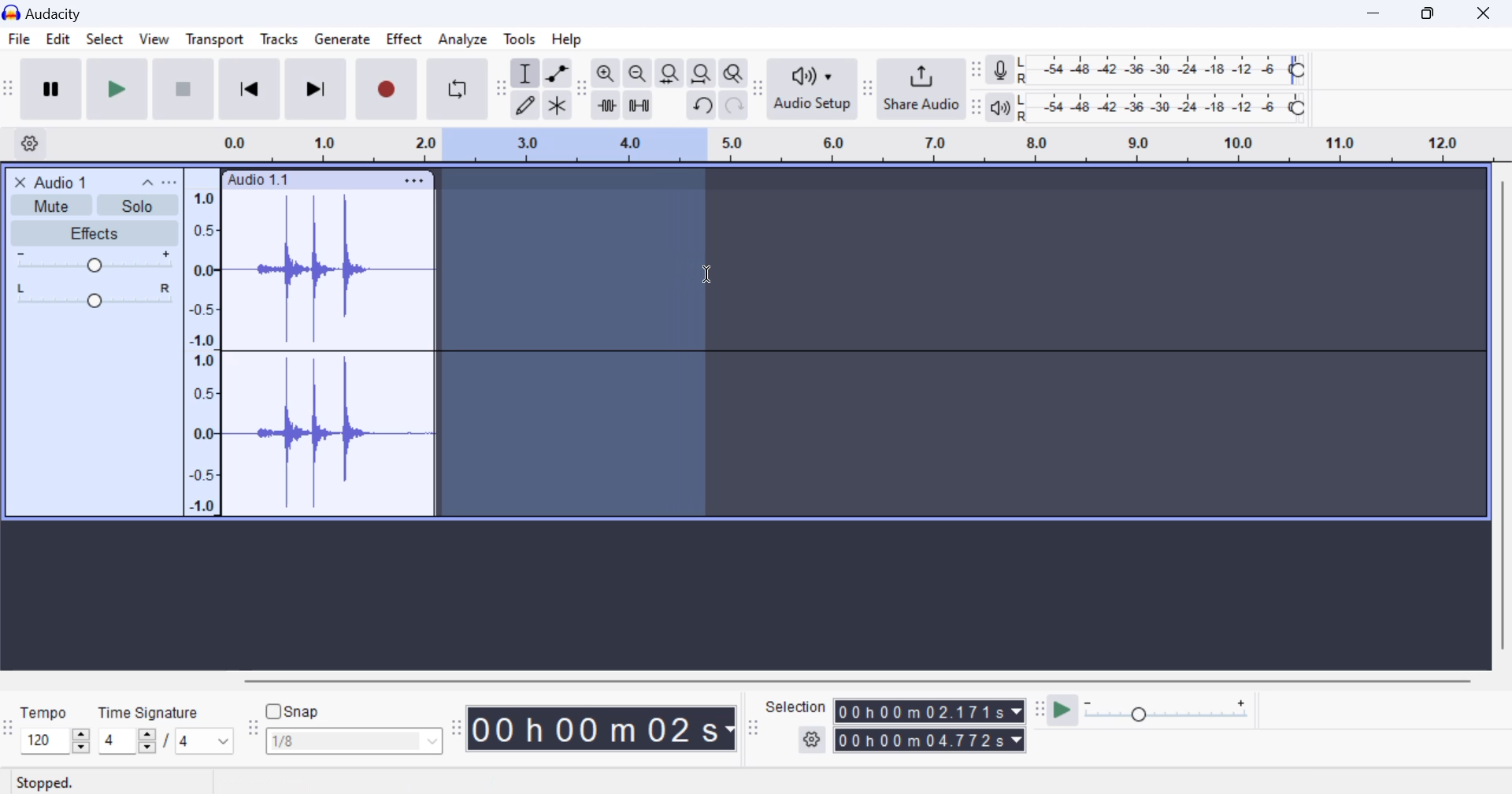  Describe the element at coordinates (414, 180) in the screenshot. I see `Clip Settings` at that location.